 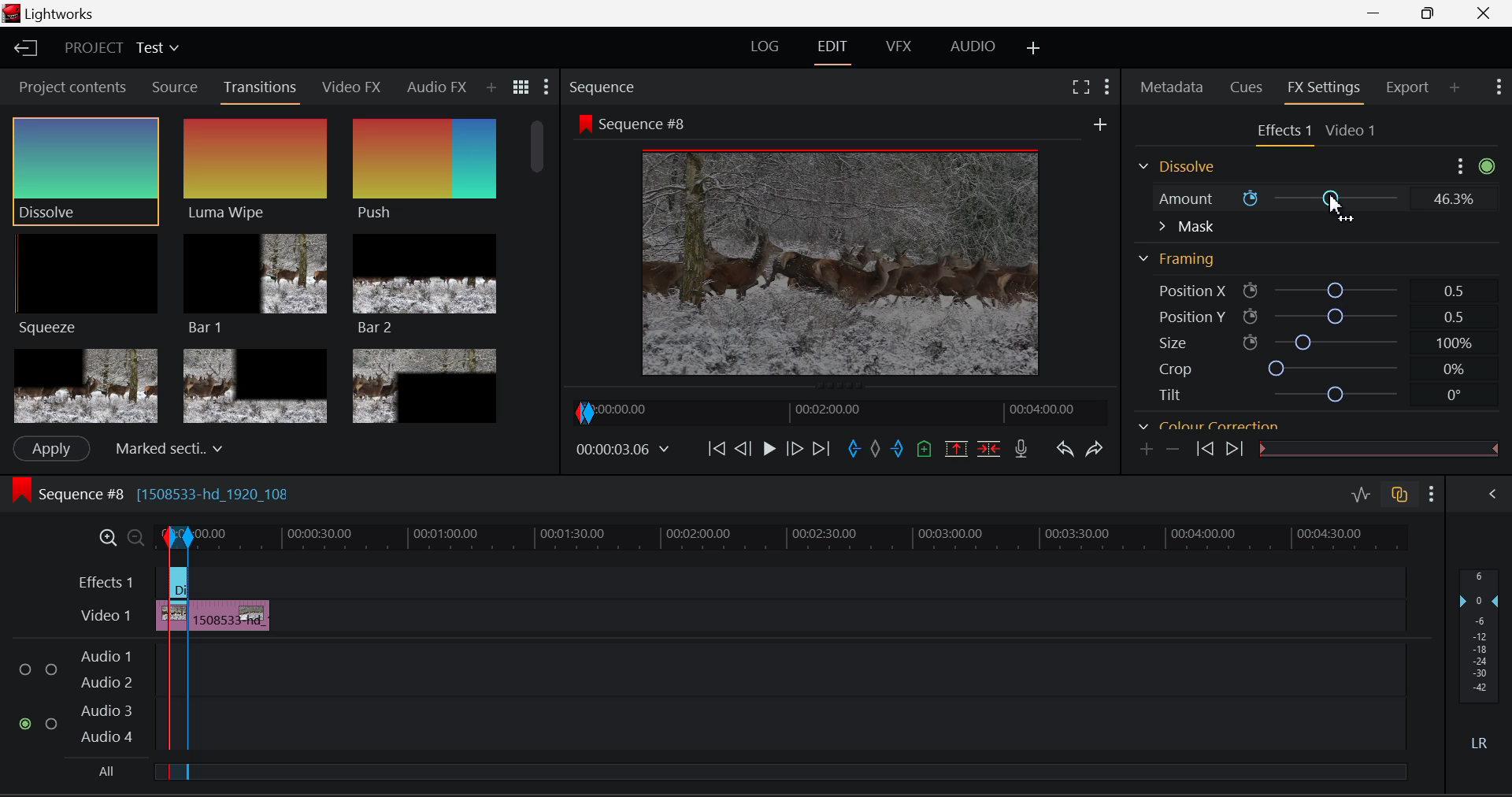 What do you see at coordinates (89, 287) in the screenshot?
I see `Squeeze` at bounding box center [89, 287].